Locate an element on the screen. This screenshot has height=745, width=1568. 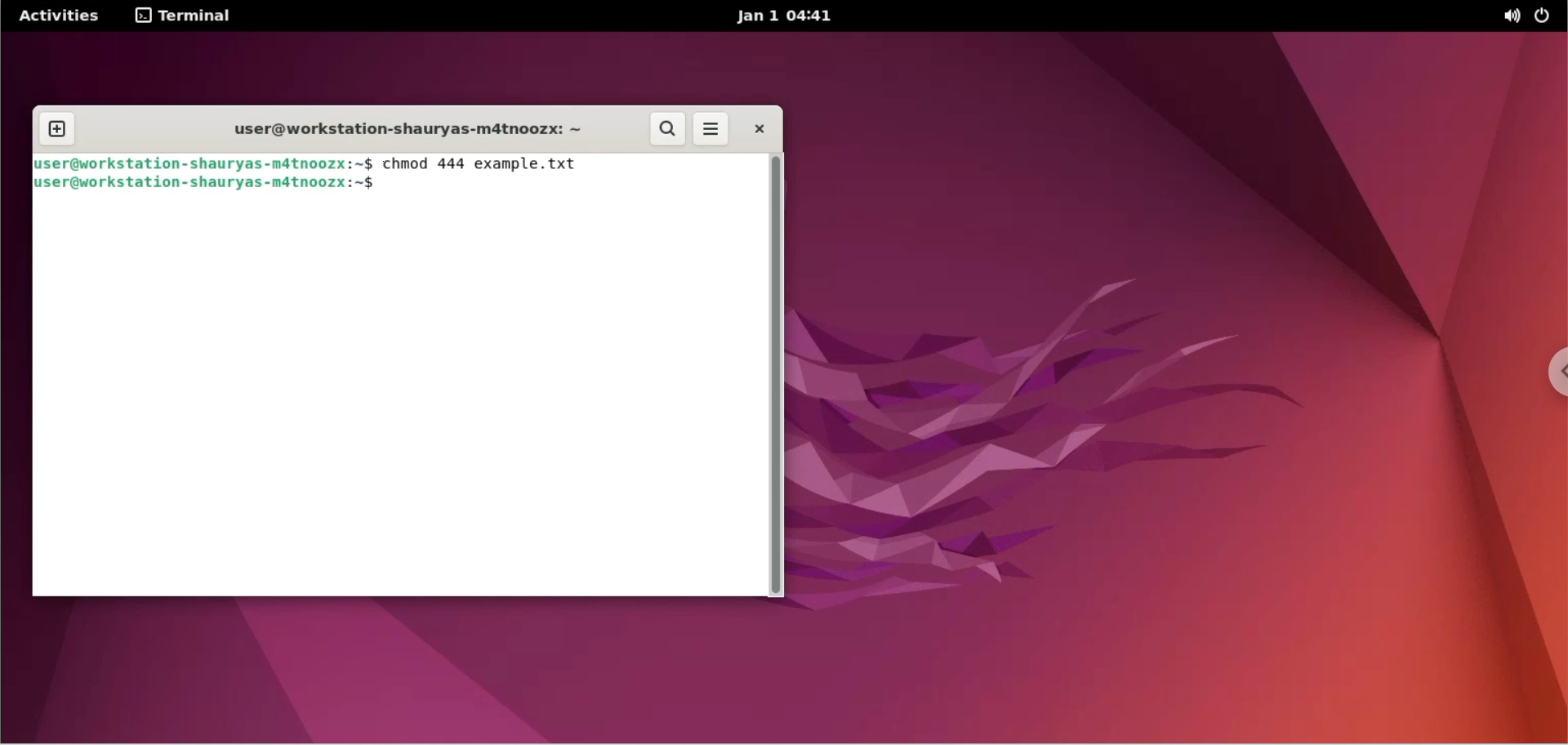
close is located at coordinates (759, 128).